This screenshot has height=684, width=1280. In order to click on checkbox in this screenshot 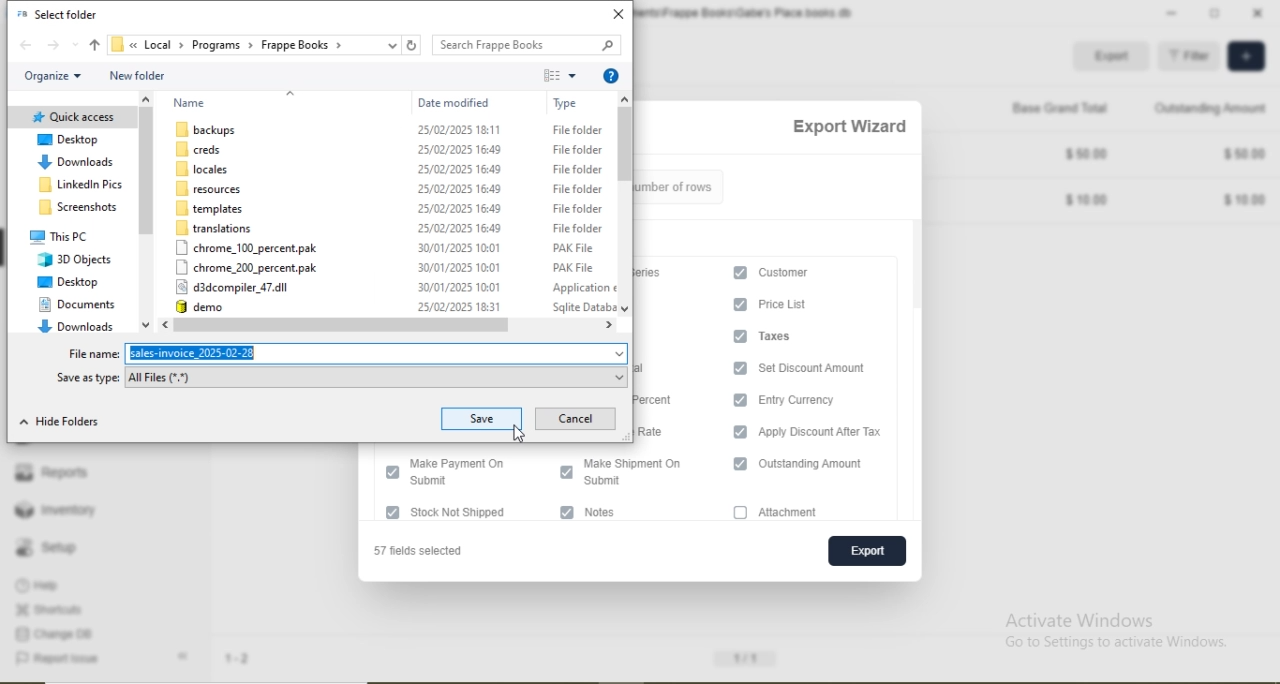, I will do `click(390, 513)`.